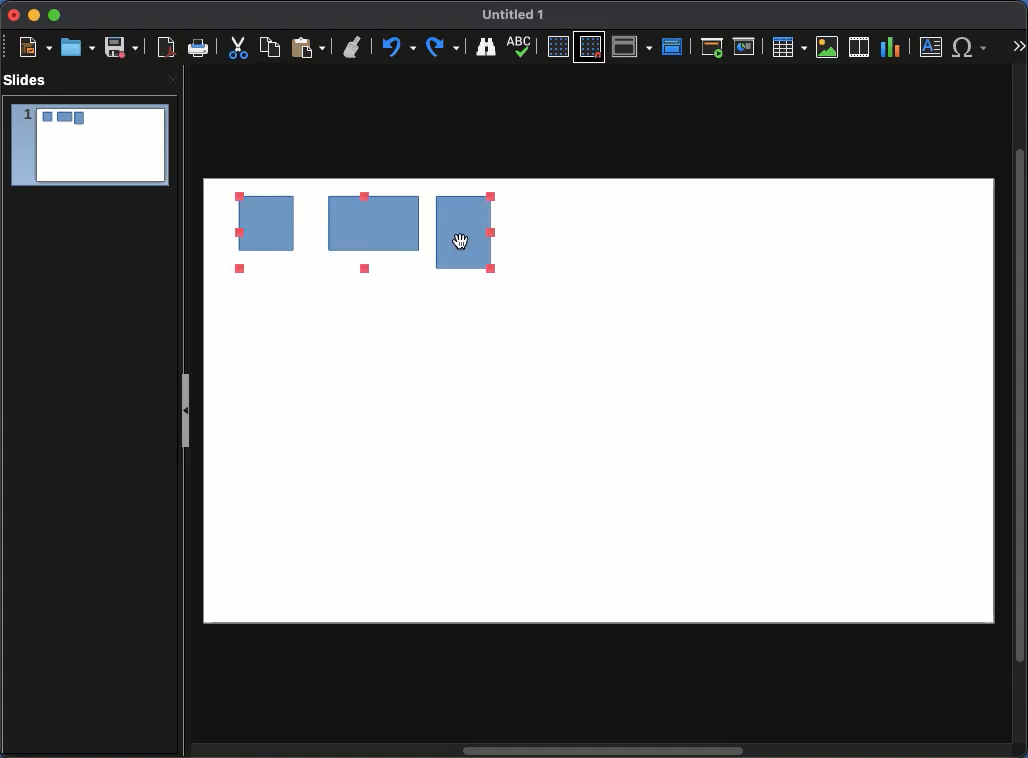 Image resolution: width=1028 pixels, height=758 pixels. What do you see at coordinates (53, 15) in the screenshot?
I see `Maximize` at bounding box center [53, 15].